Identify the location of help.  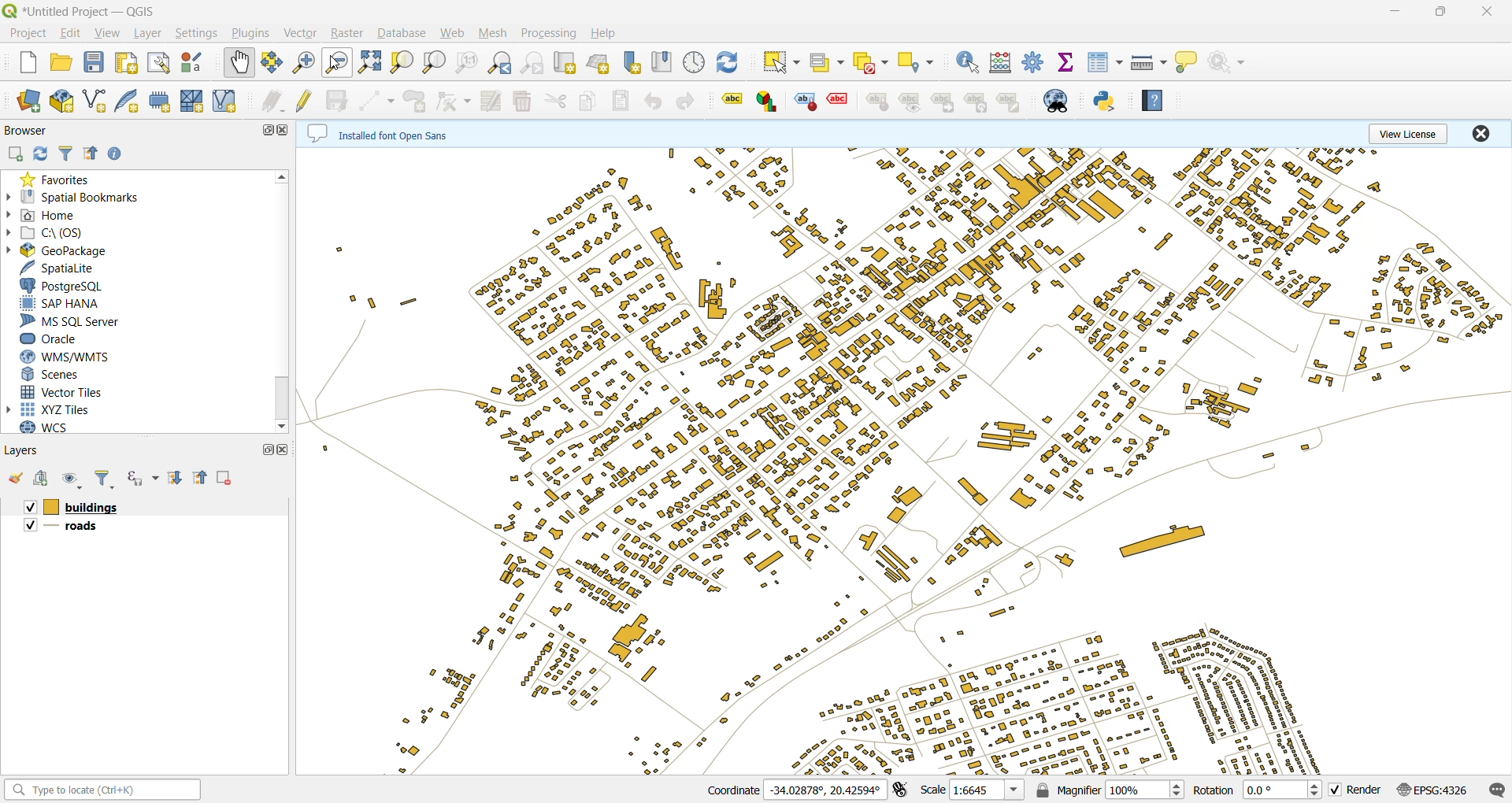
(1154, 103).